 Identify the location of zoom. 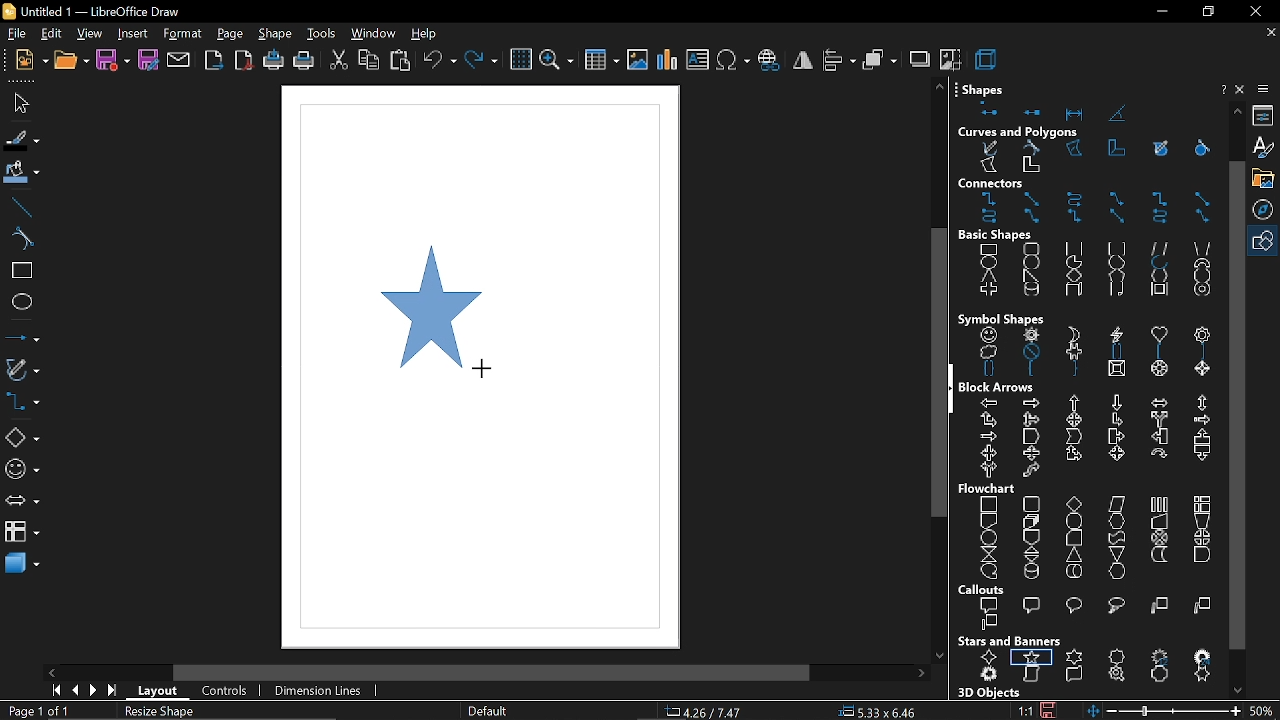
(557, 59).